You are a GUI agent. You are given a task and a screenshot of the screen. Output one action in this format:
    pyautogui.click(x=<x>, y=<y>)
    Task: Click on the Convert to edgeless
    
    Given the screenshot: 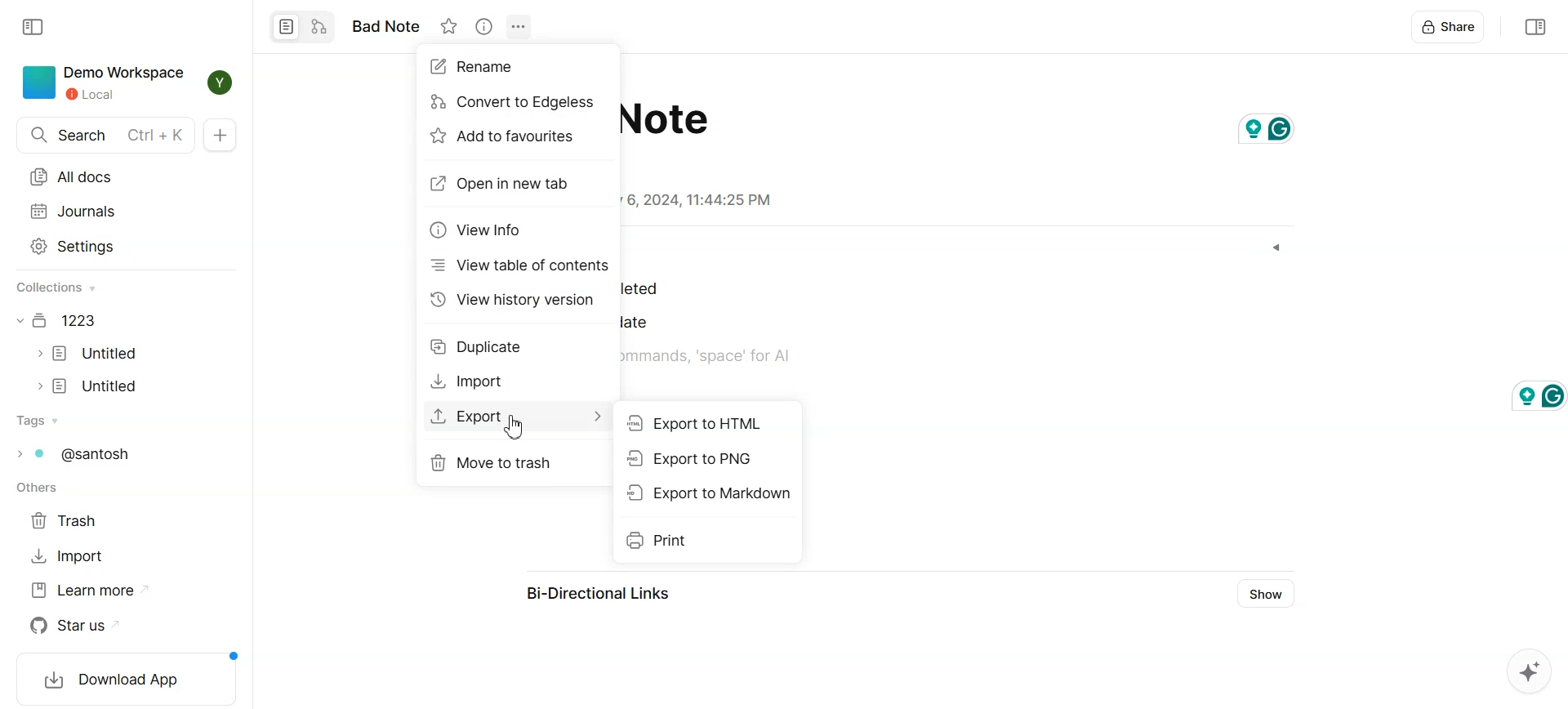 What is the action you would take?
    pyautogui.click(x=514, y=103)
    